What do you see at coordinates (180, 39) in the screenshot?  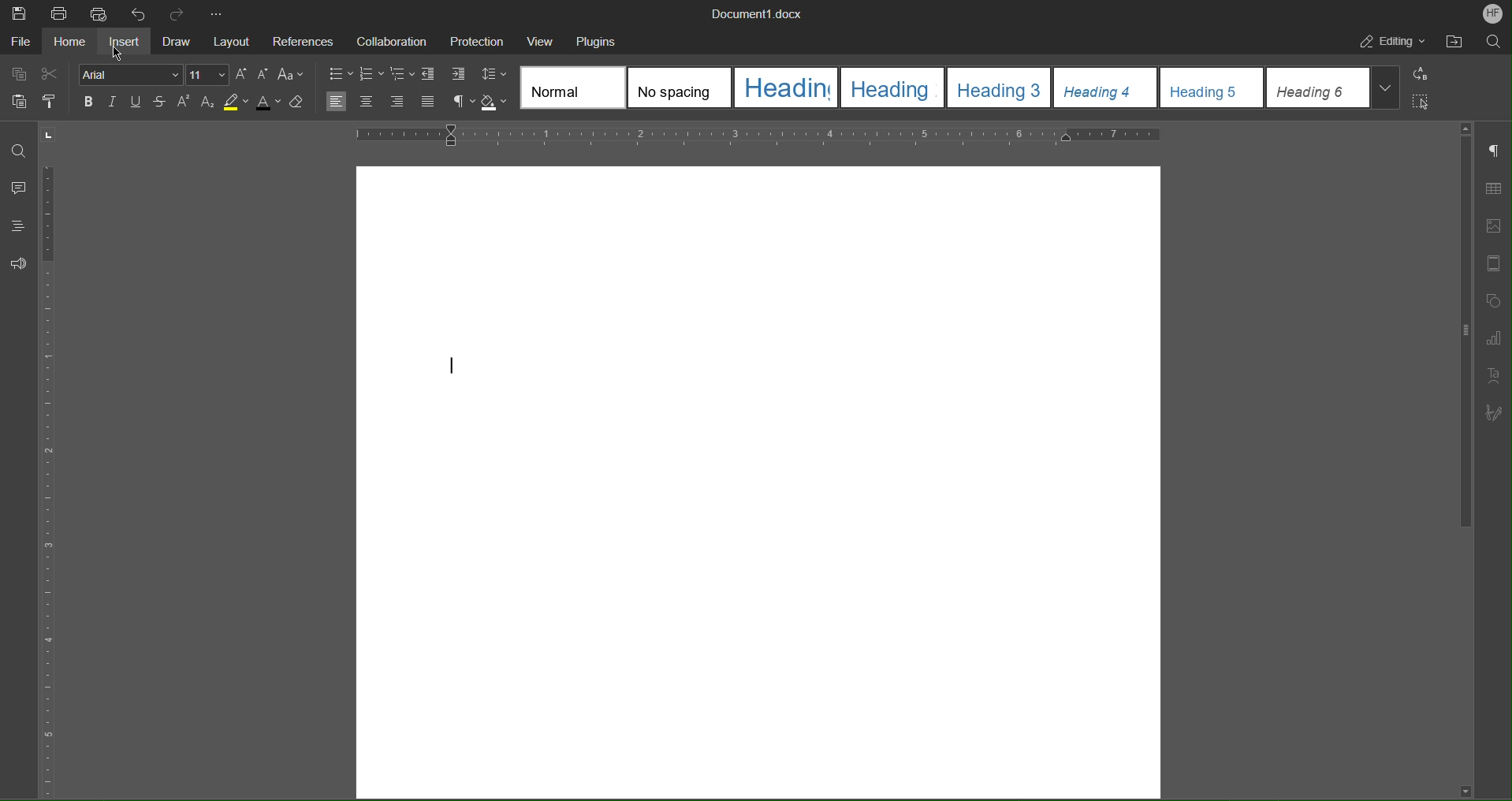 I see `Draw` at bounding box center [180, 39].